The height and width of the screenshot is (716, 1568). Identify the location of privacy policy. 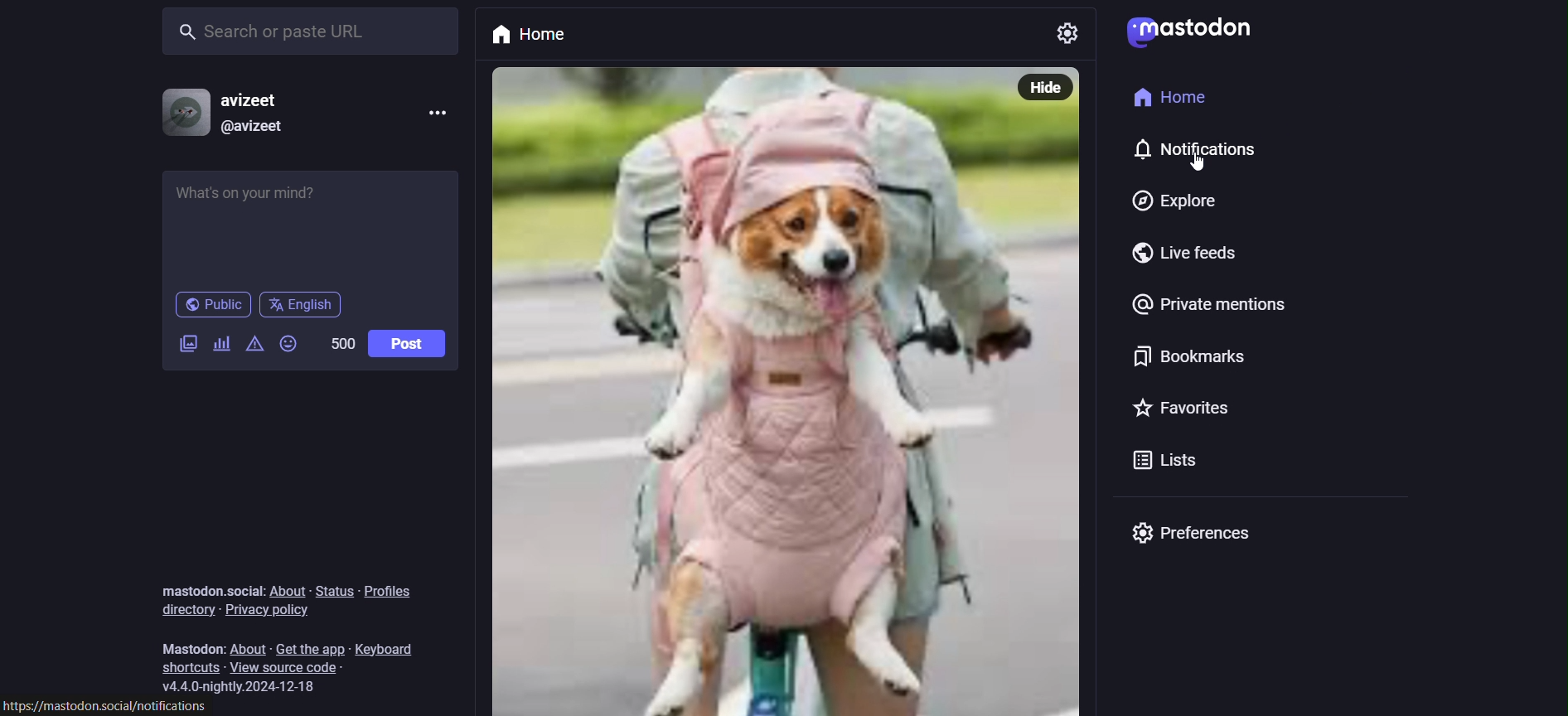
(270, 611).